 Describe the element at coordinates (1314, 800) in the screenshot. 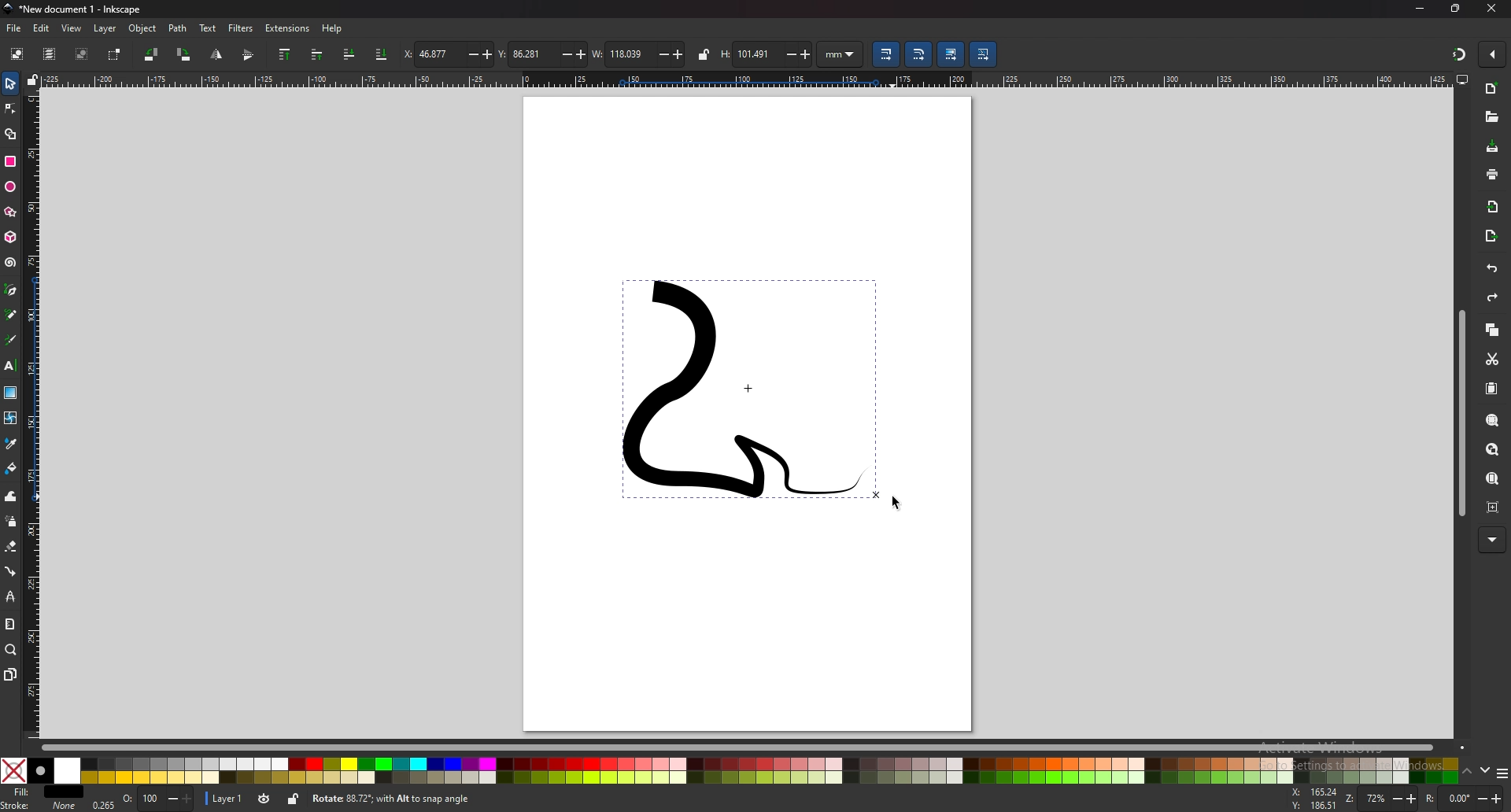

I see `cursor coordinates` at that location.